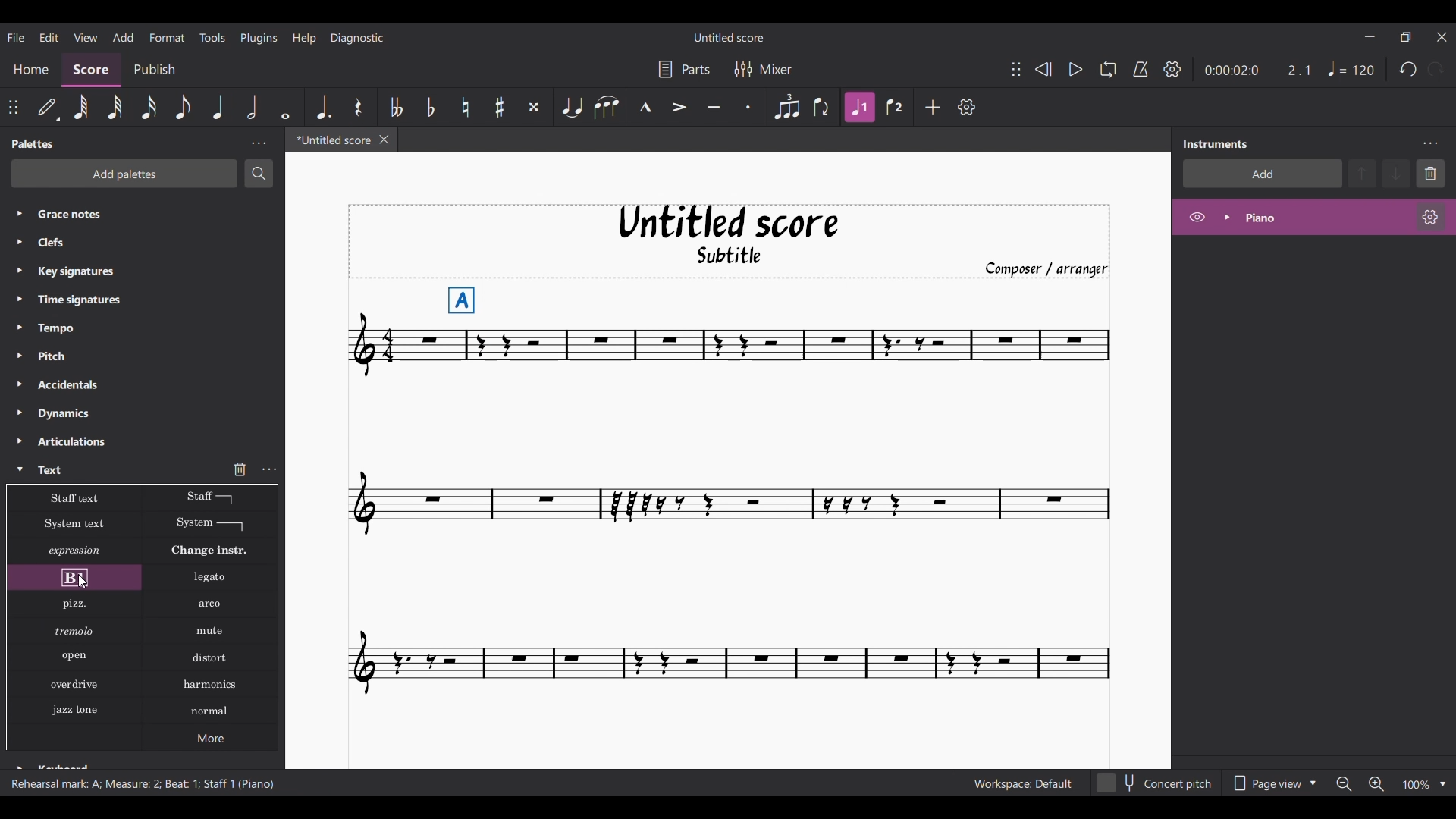 Image resolution: width=1456 pixels, height=819 pixels. I want to click on Rewind, so click(1043, 68).